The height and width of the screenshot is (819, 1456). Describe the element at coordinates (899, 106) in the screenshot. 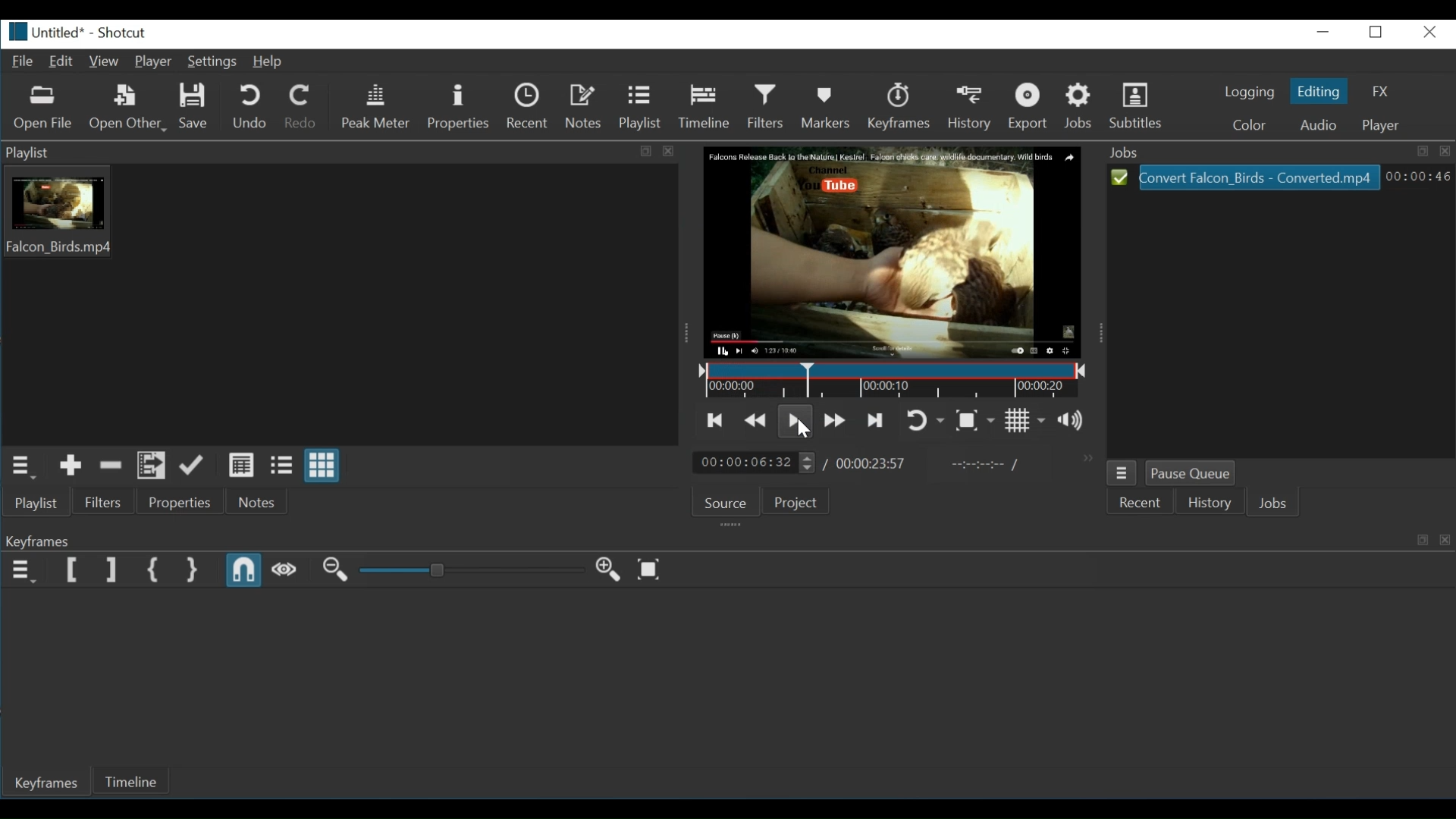

I see `Keyframes` at that location.